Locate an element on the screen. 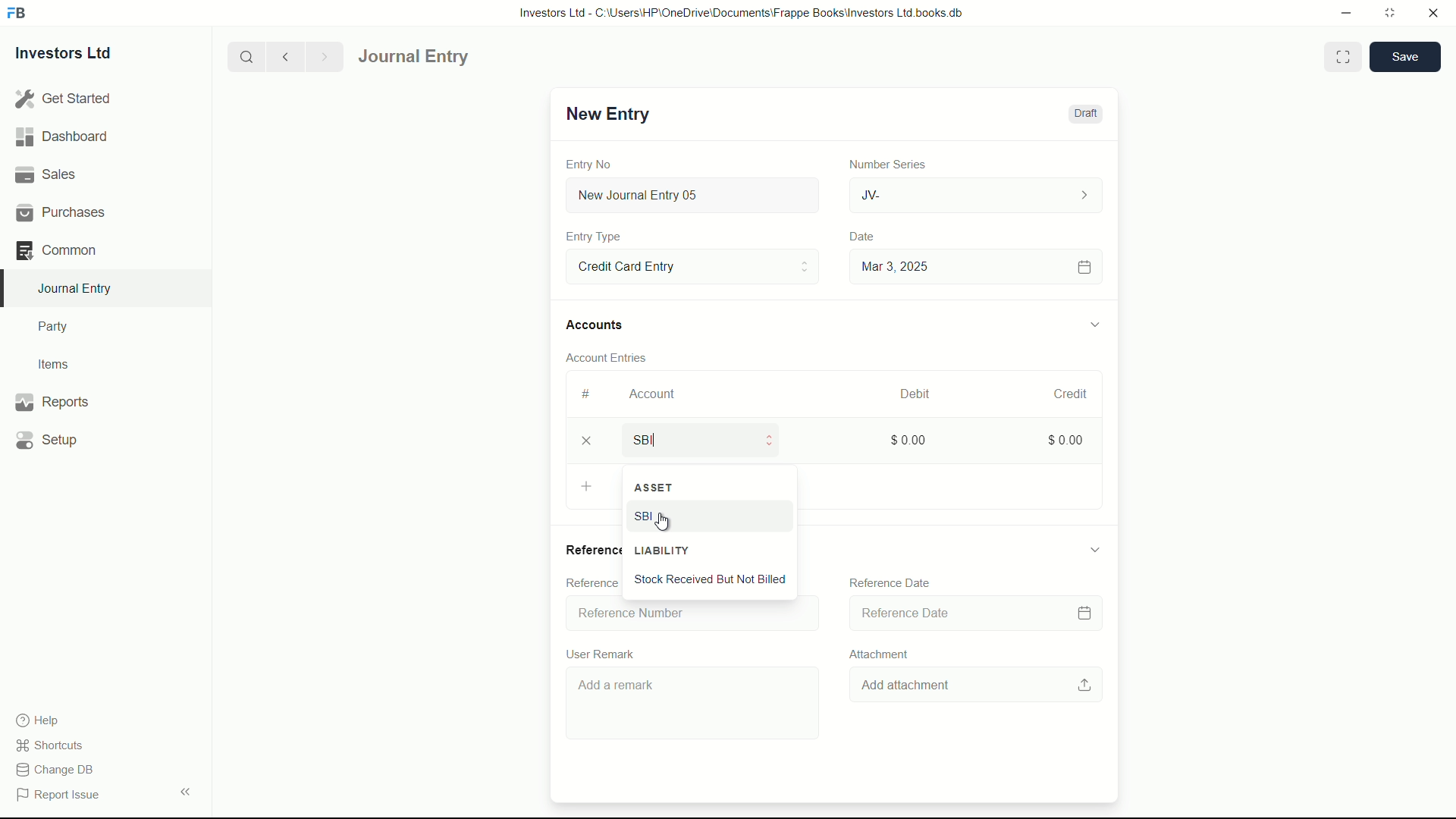 This screenshot has width=1456, height=819. SBI is located at coordinates (692, 518).